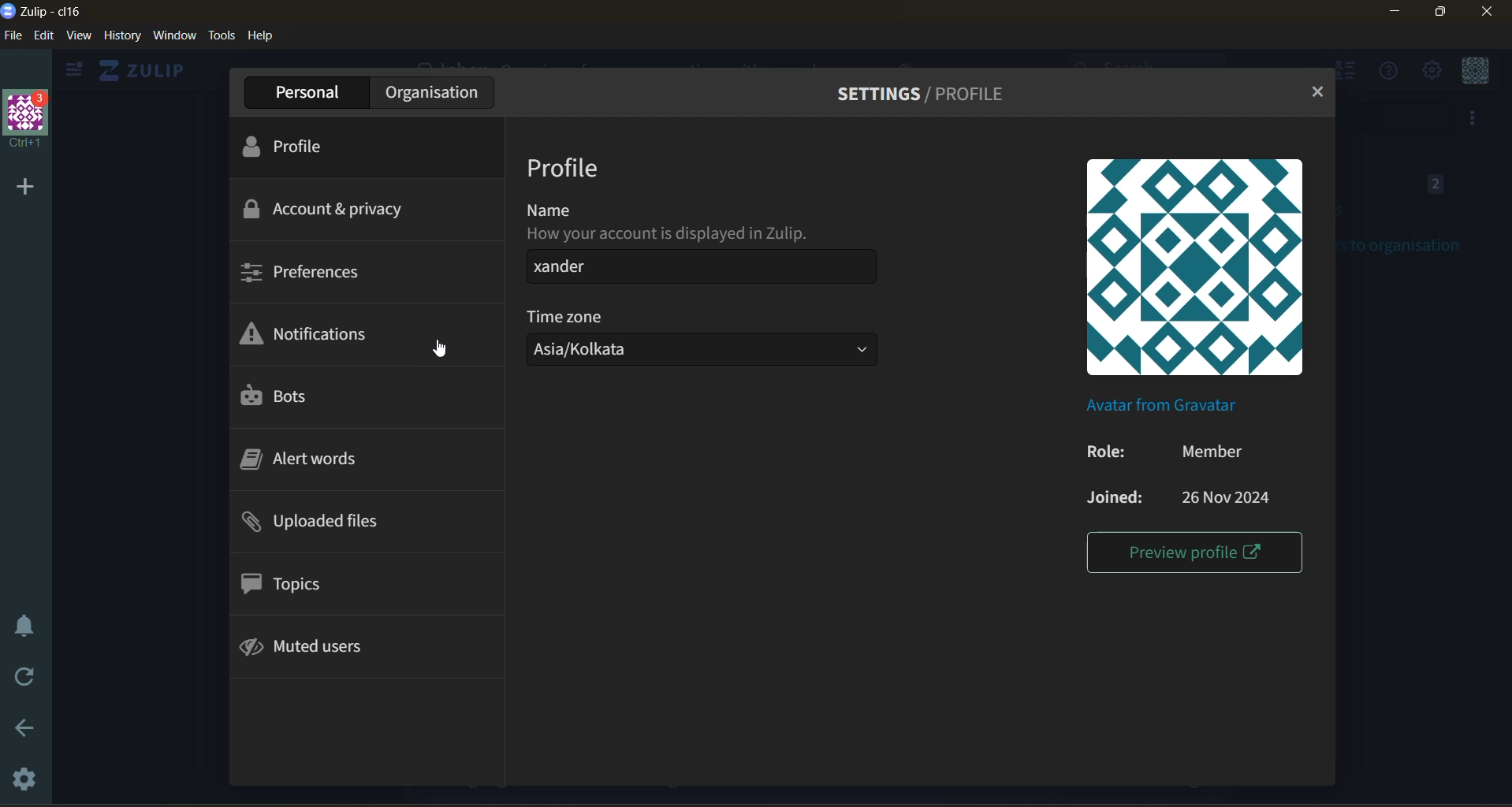 This screenshot has width=1512, height=807. What do you see at coordinates (672, 221) in the screenshot?
I see `text` at bounding box center [672, 221].